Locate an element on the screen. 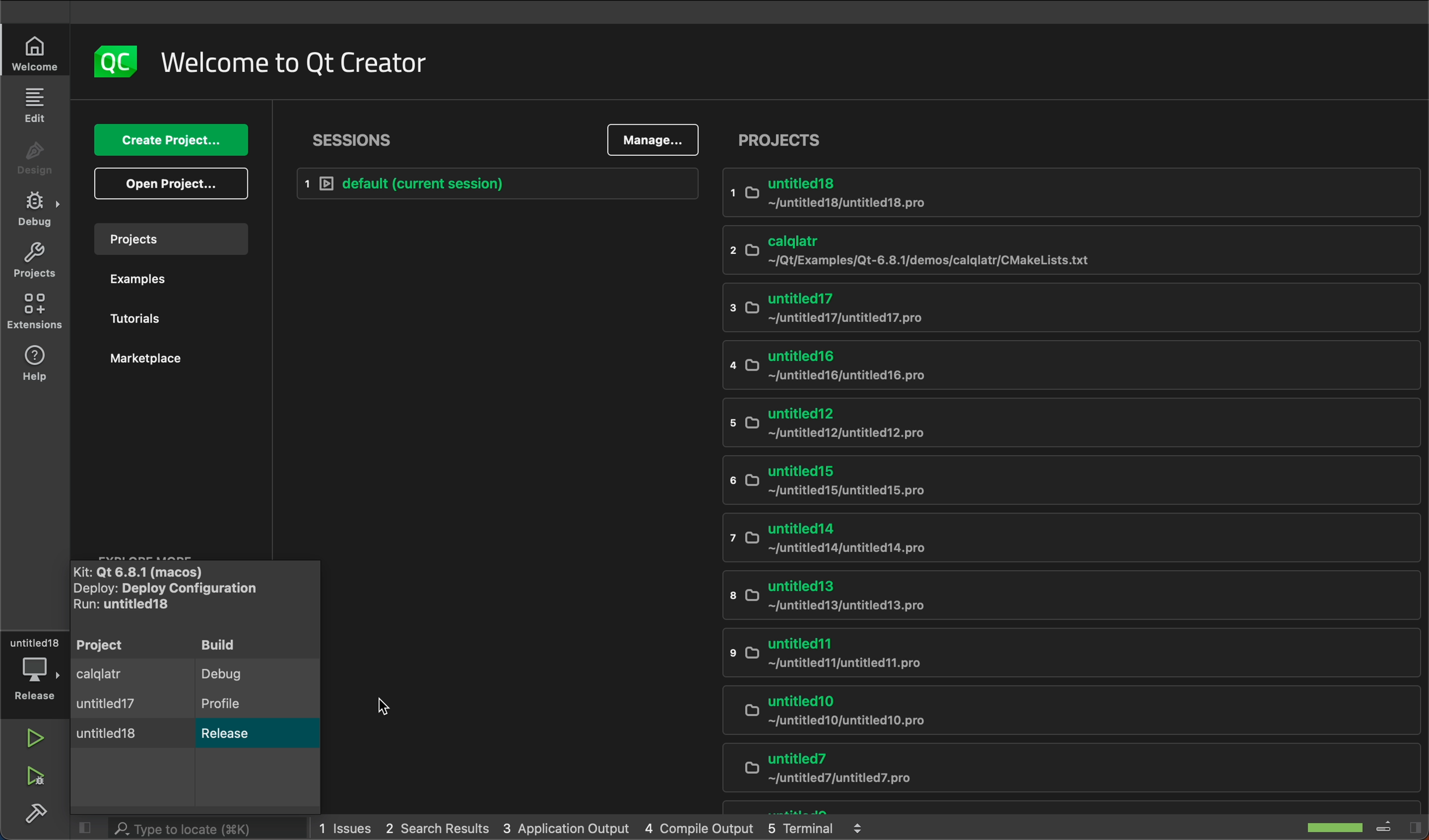 The height and width of the screenshot is (840, 1429). run is located at coordinates (32, 737).